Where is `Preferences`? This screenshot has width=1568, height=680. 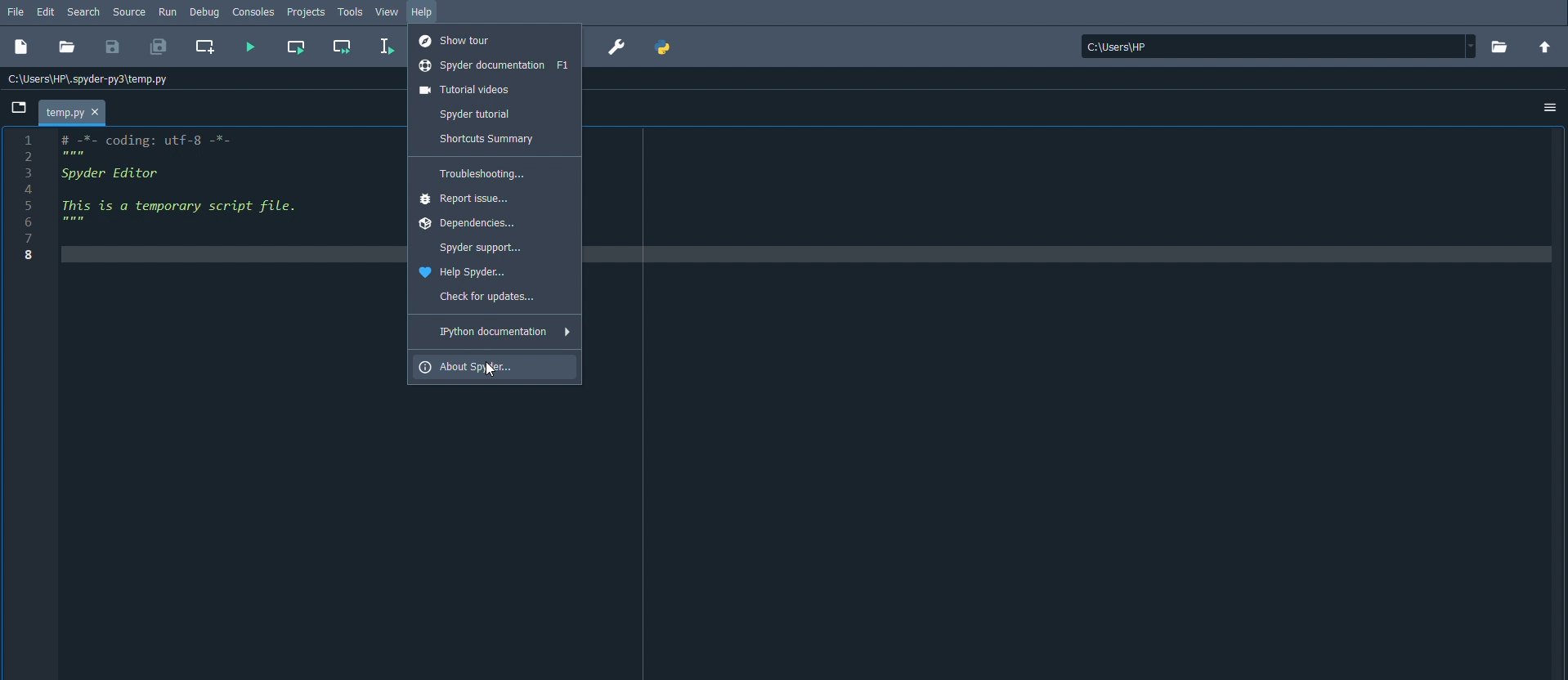 Preferences is located at coordinates (615, 48).